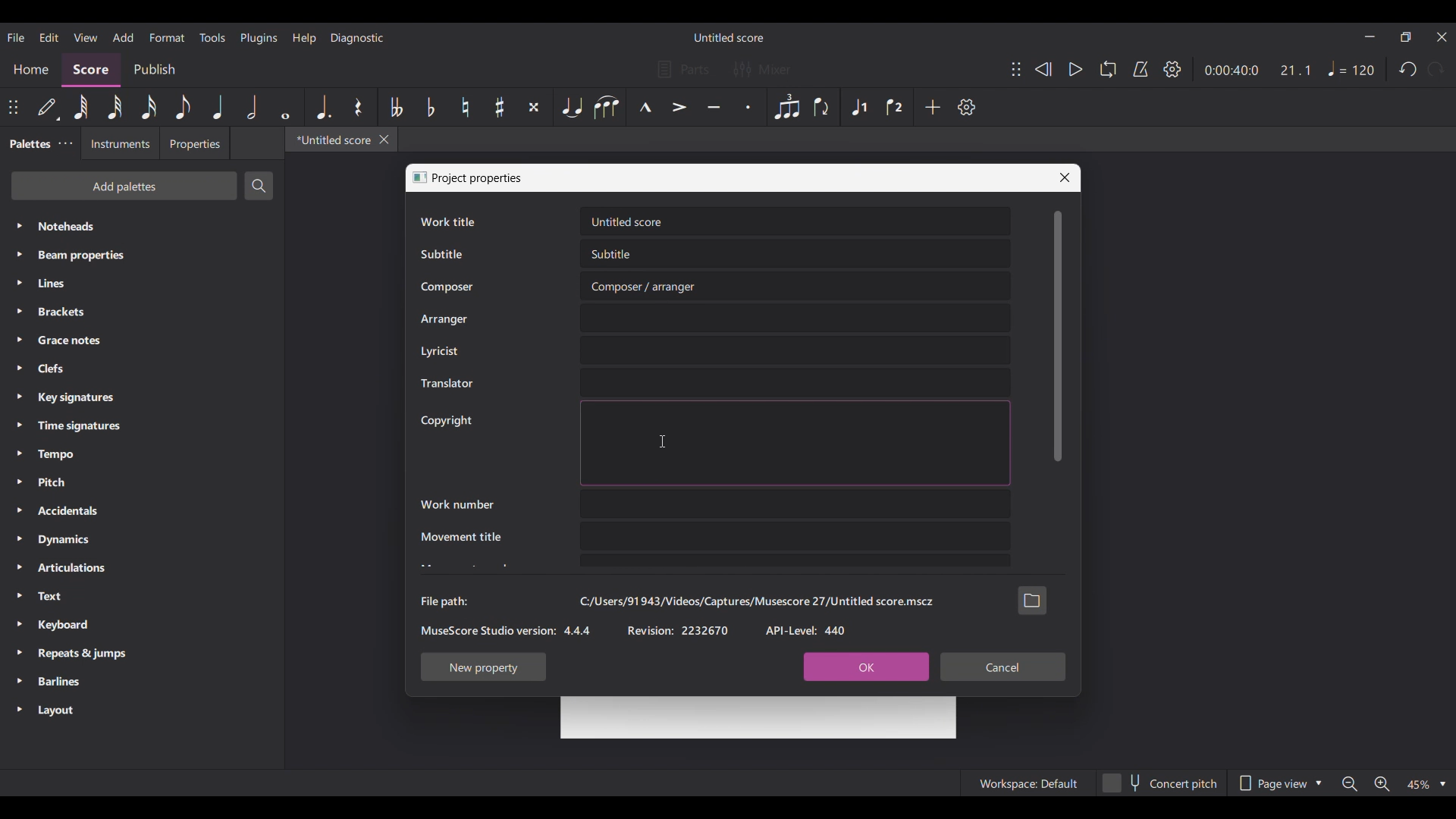 The width and height of the screenshot is (1456, 819). Describe the element at coordinates (142, 596) in the screenshot. I see `Text` at that location.